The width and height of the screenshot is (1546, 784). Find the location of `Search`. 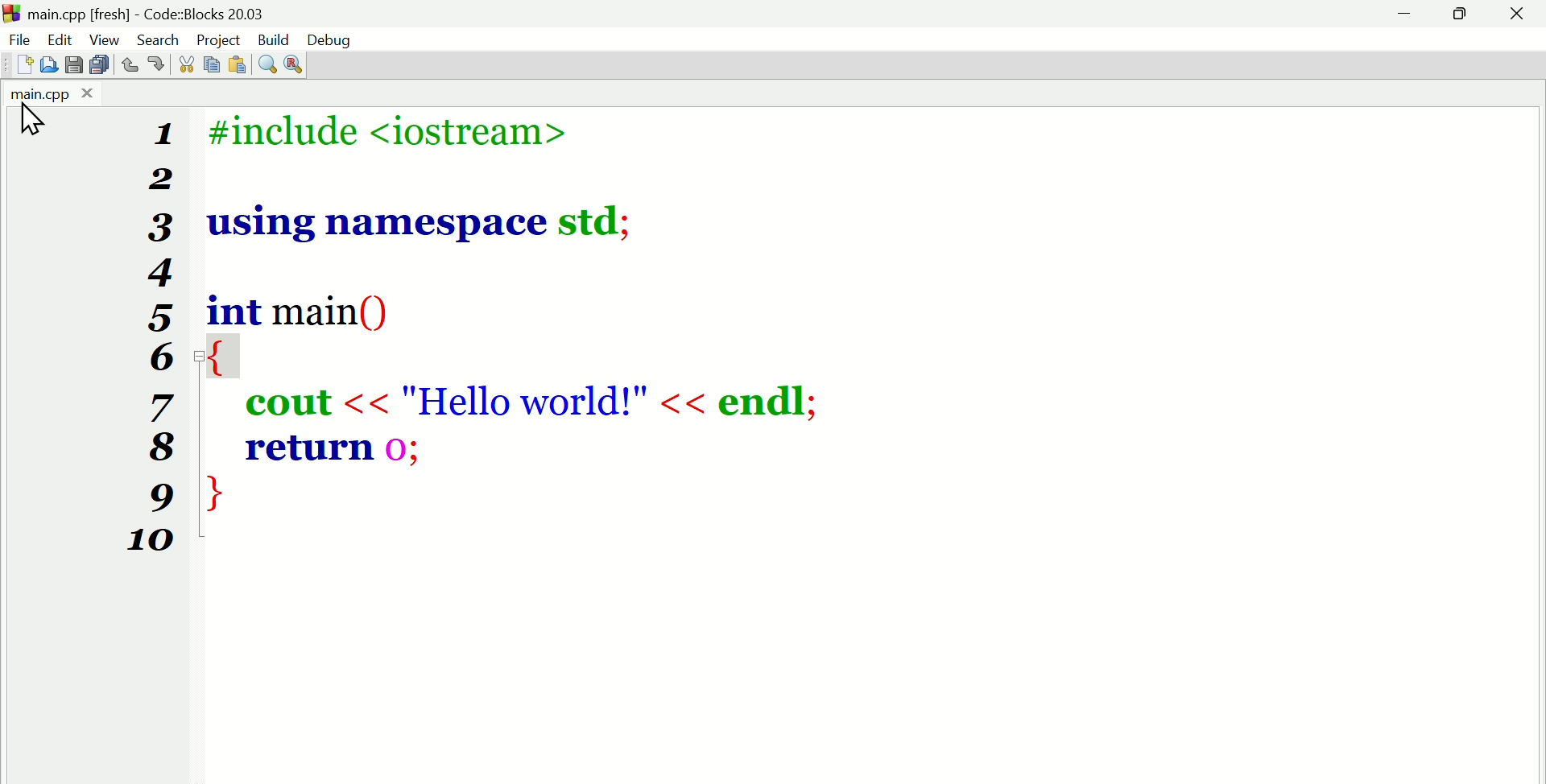

Search is located at coordinates (159, 36).